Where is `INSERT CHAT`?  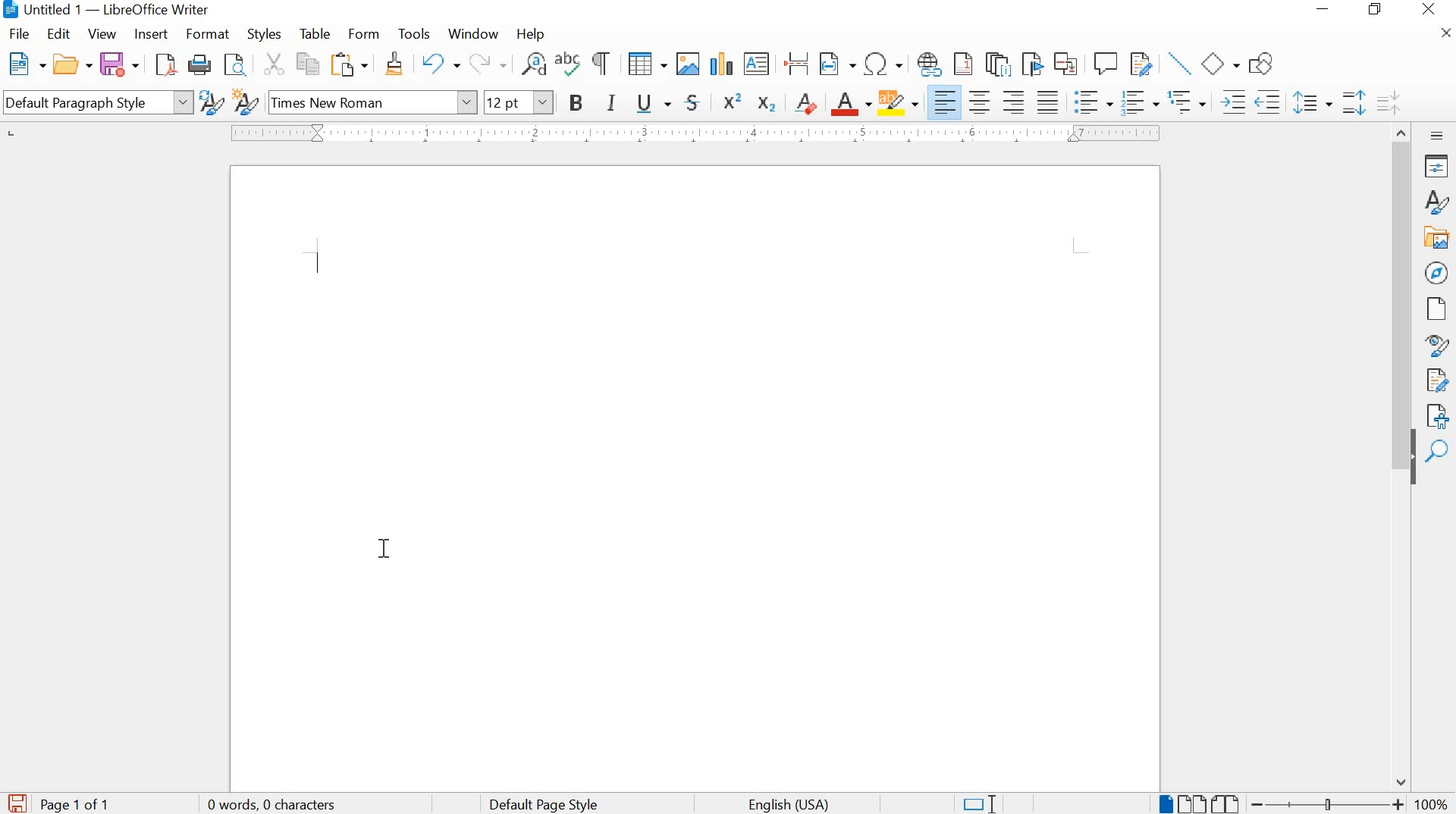 INSERT CHAT is located at coordinates (720, 64).